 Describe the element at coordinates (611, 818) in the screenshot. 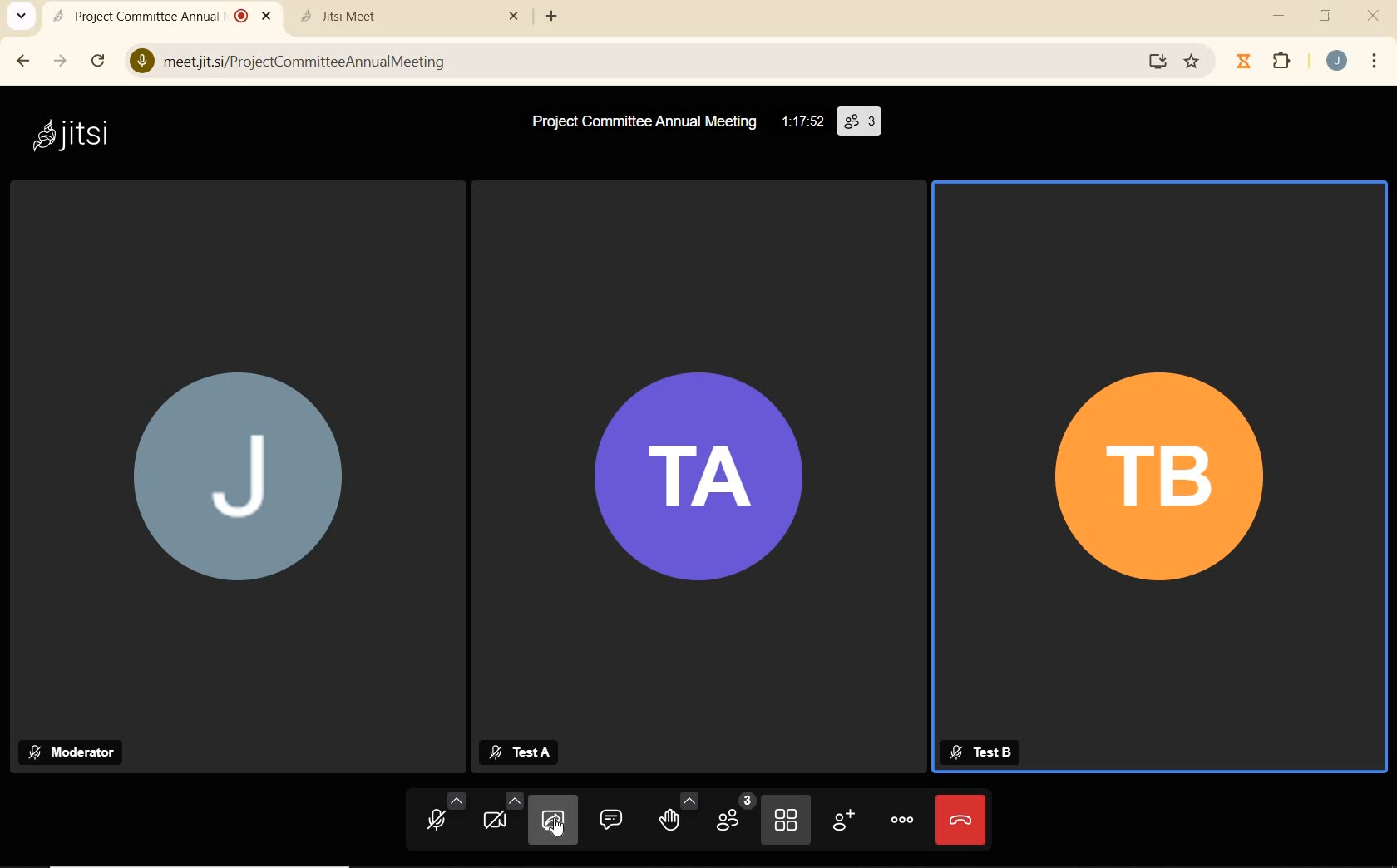

I see `OPEN CHAT` at that location.